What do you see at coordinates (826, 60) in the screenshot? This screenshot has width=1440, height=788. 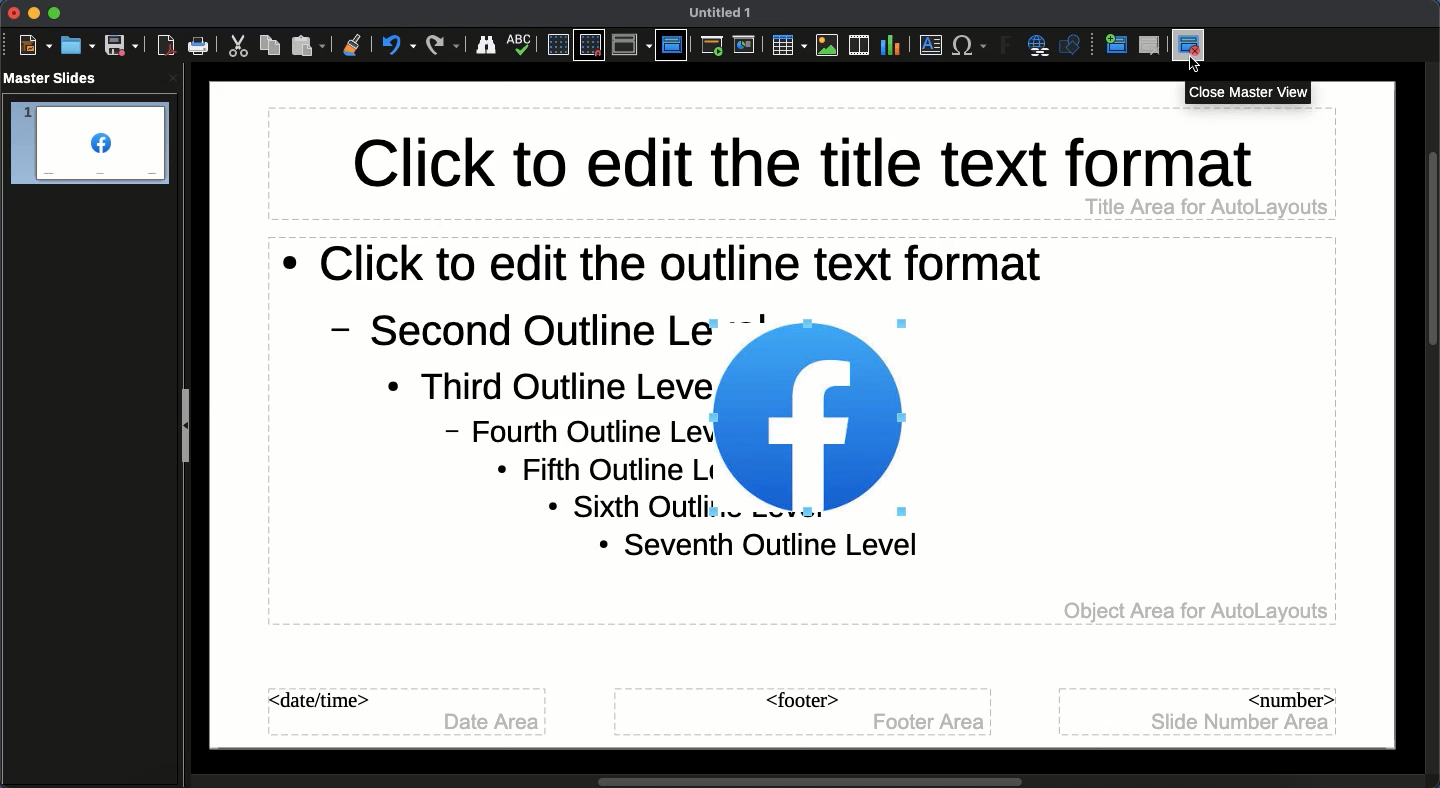 I see `cursor` at bounding box center [826, 60].